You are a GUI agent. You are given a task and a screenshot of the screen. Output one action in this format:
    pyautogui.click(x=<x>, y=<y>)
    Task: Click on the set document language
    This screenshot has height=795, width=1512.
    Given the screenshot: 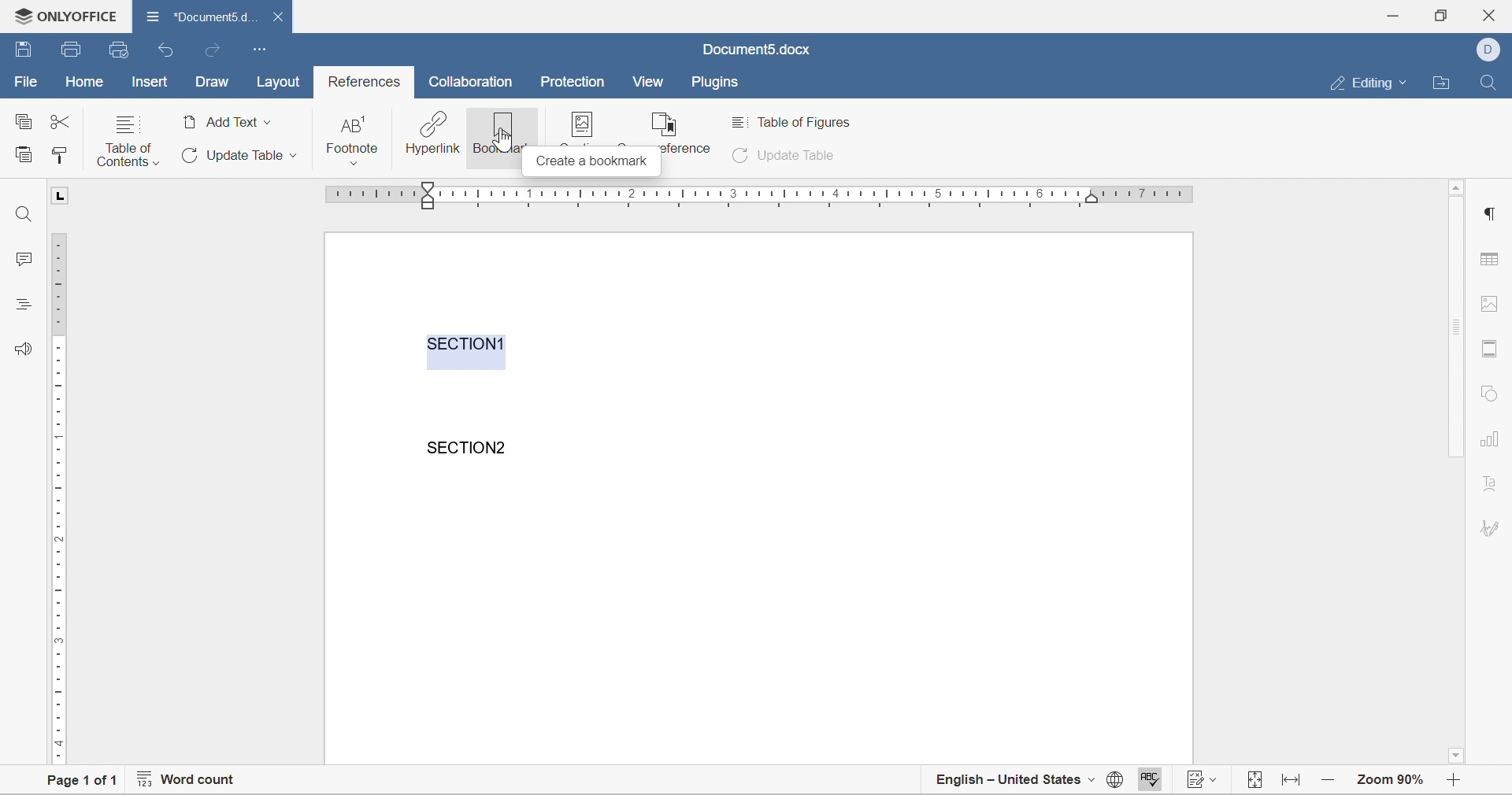 What is the action you would take?
    pyautogui.click(x=1114, y=783)
    